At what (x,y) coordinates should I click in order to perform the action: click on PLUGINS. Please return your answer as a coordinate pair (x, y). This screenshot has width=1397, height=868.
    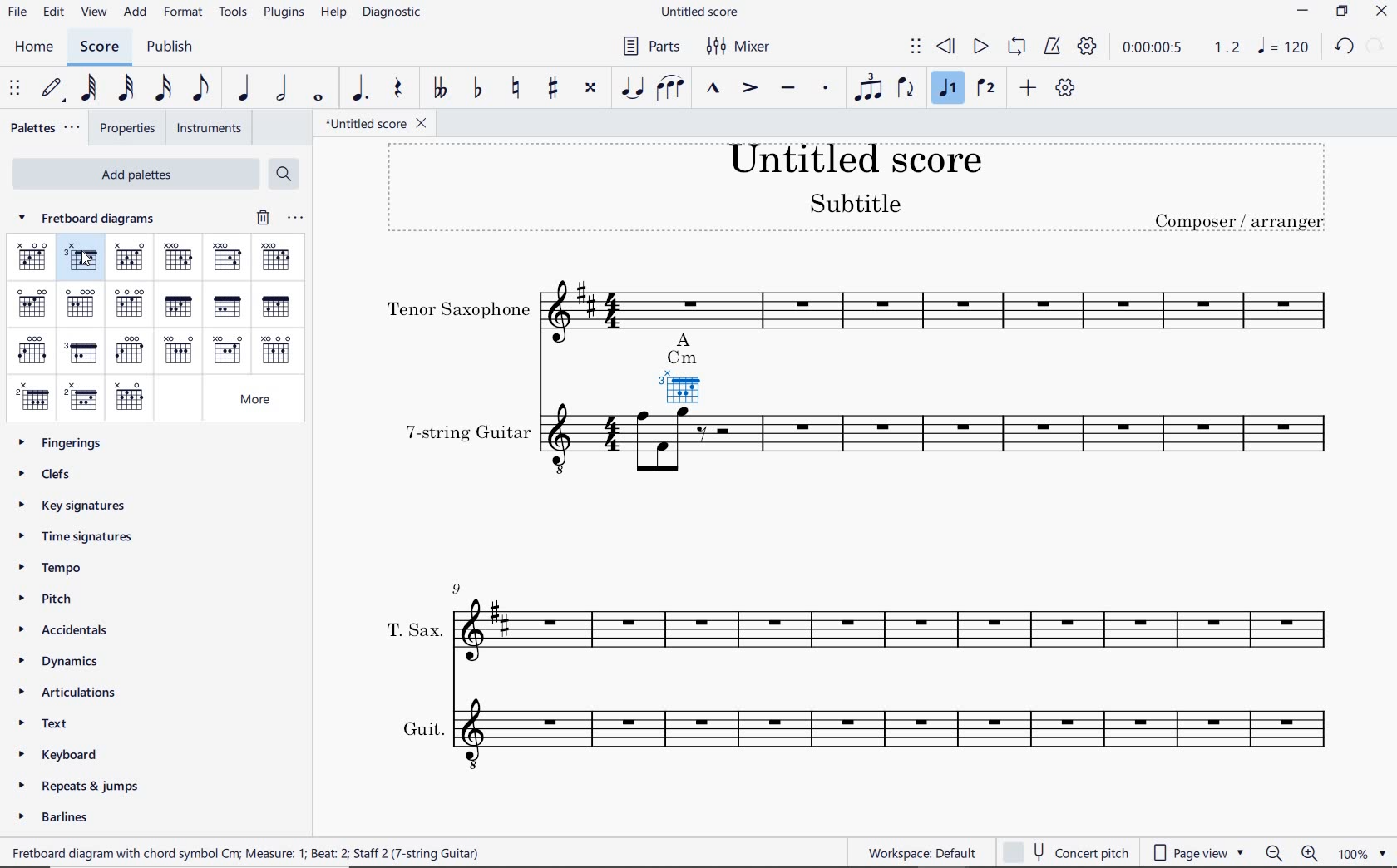
    Looking at the image, I should click on (285, 15).